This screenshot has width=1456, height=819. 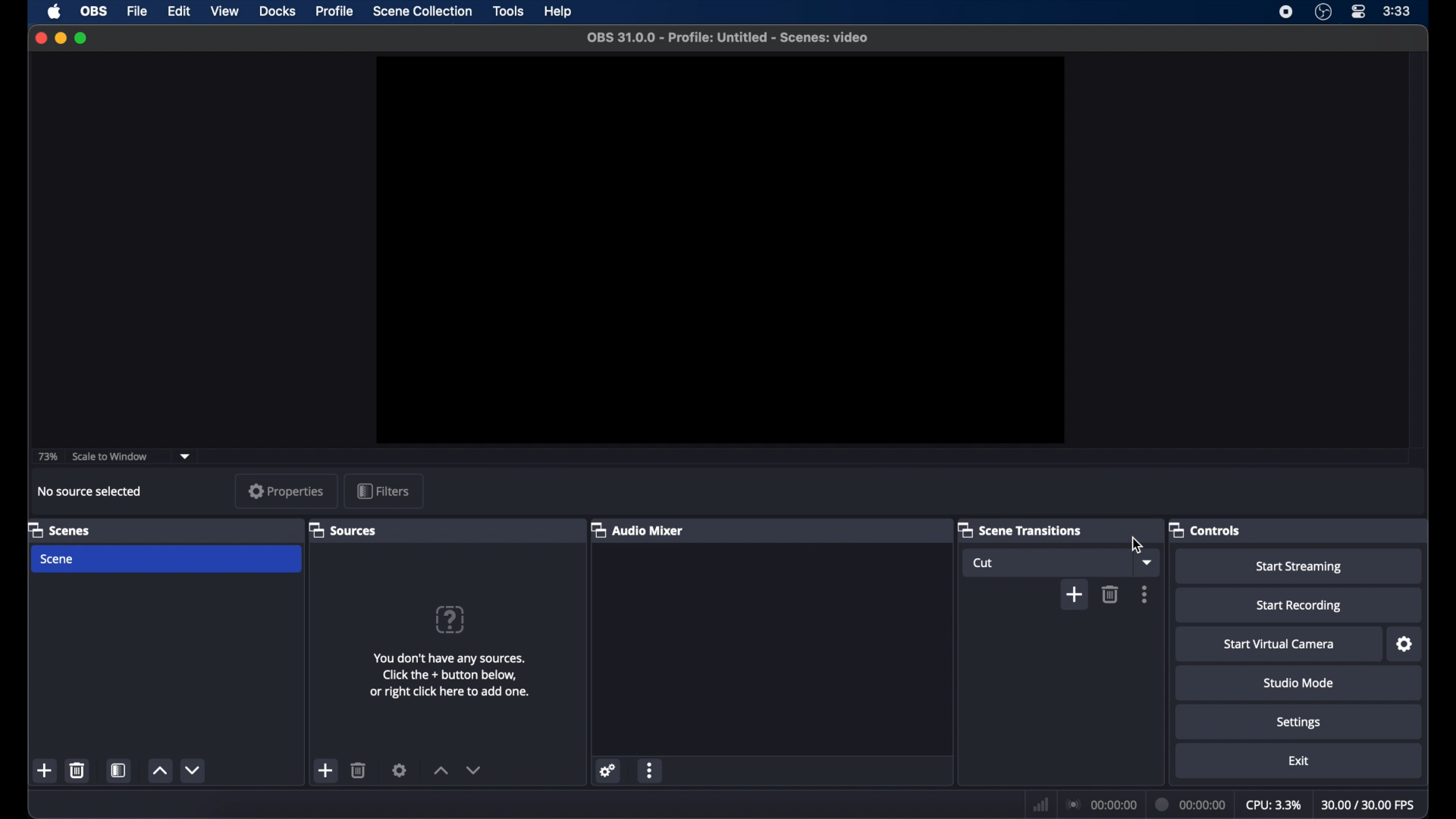 What do you see at coordinates (327, 770) in the screenshot?
I see `add` at bounding box center [327, 770].